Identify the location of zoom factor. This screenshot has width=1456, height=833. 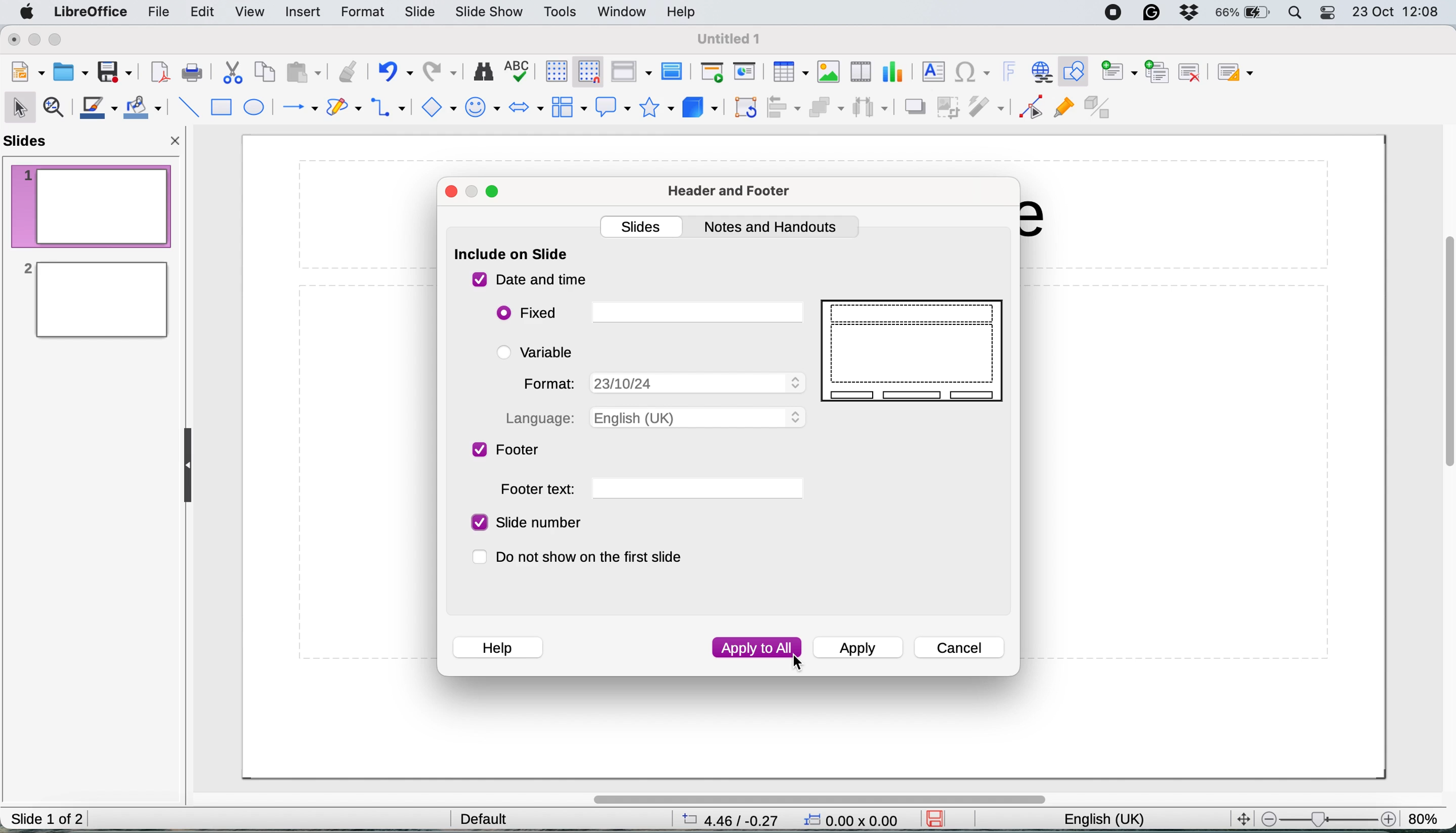
(1425, 814).